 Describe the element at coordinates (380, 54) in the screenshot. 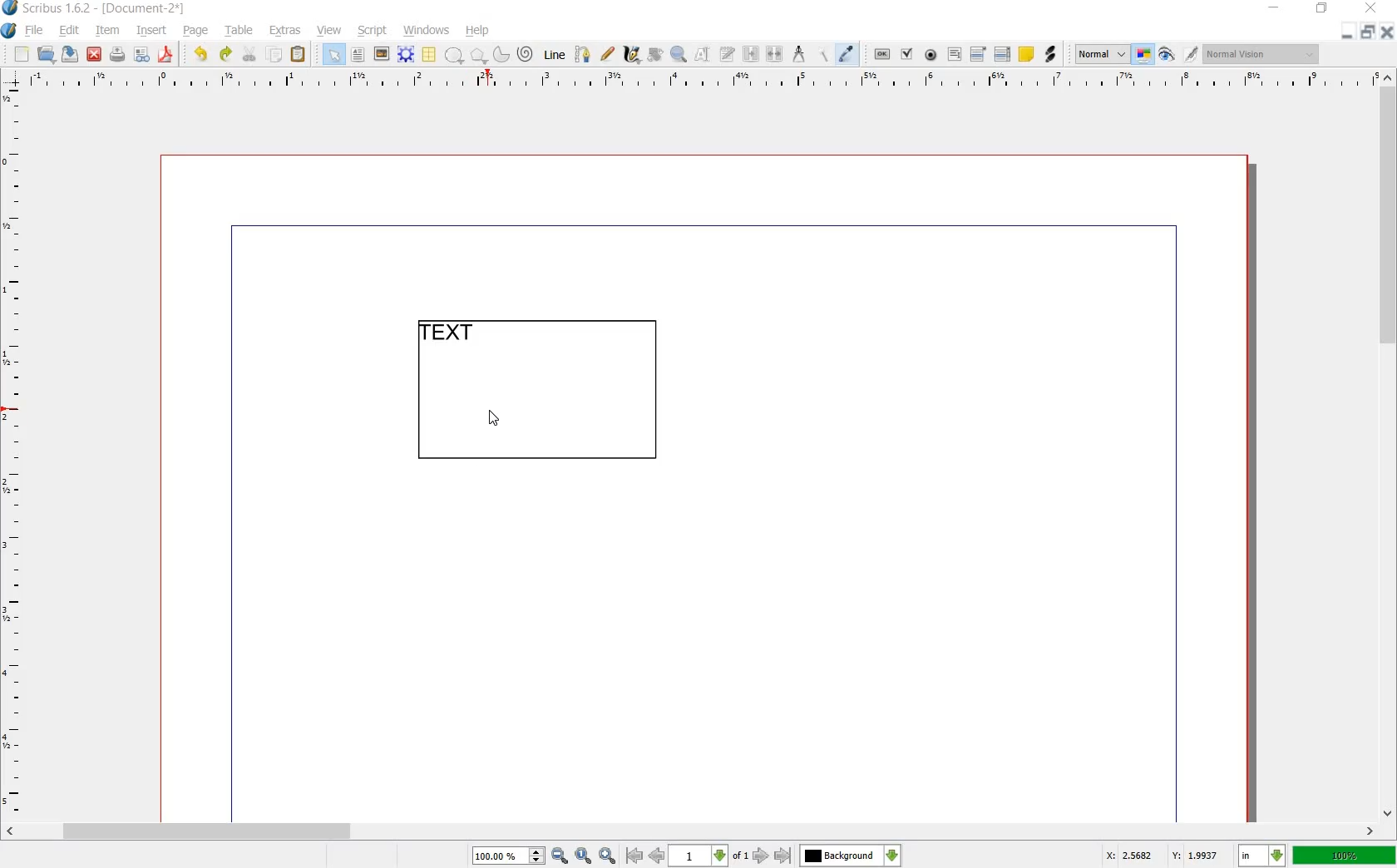

I see `image frame` at that location.